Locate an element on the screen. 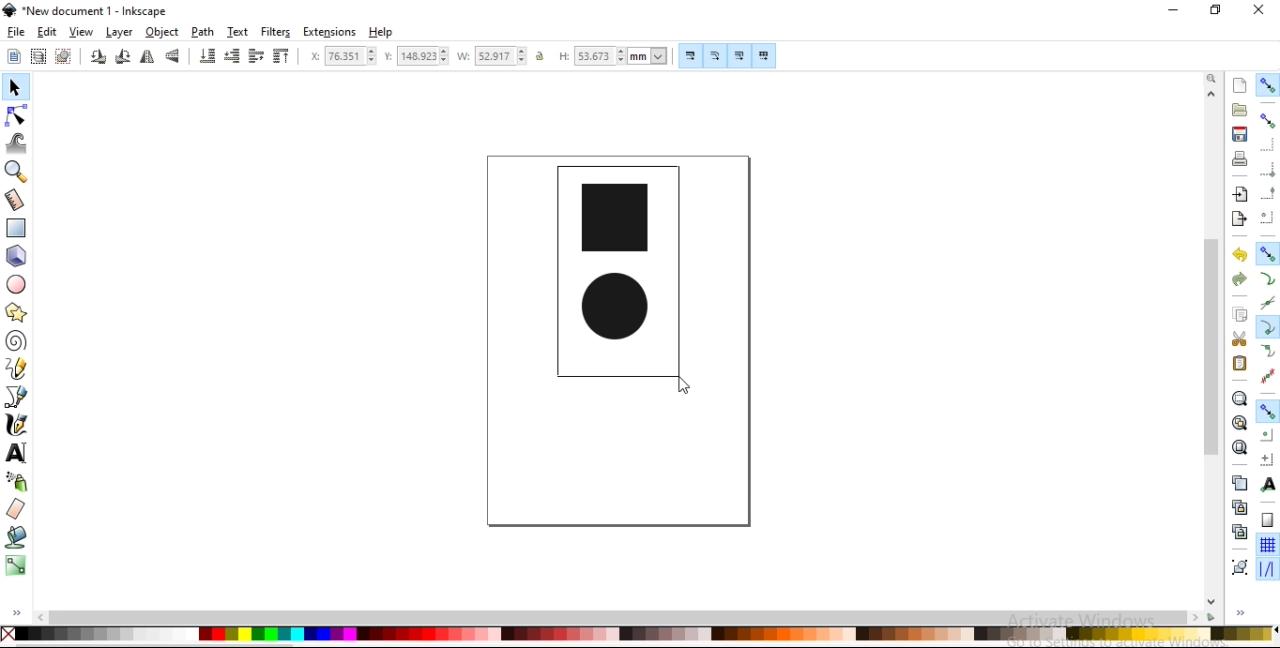  snap smooth nodes is located at coordinates (1267, 351).